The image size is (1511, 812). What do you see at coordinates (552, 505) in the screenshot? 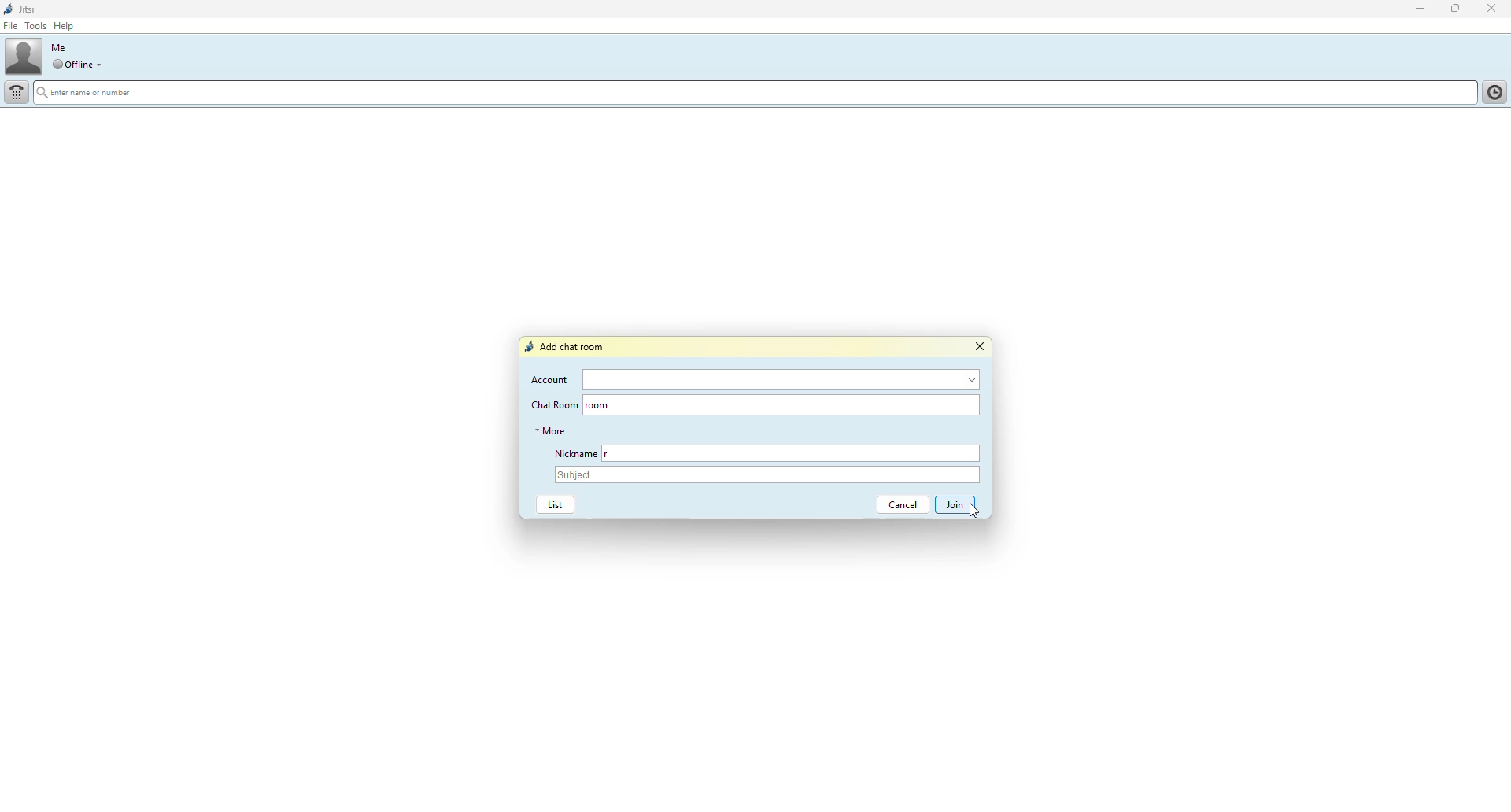
I see `list` at bounding box center [552, 505].